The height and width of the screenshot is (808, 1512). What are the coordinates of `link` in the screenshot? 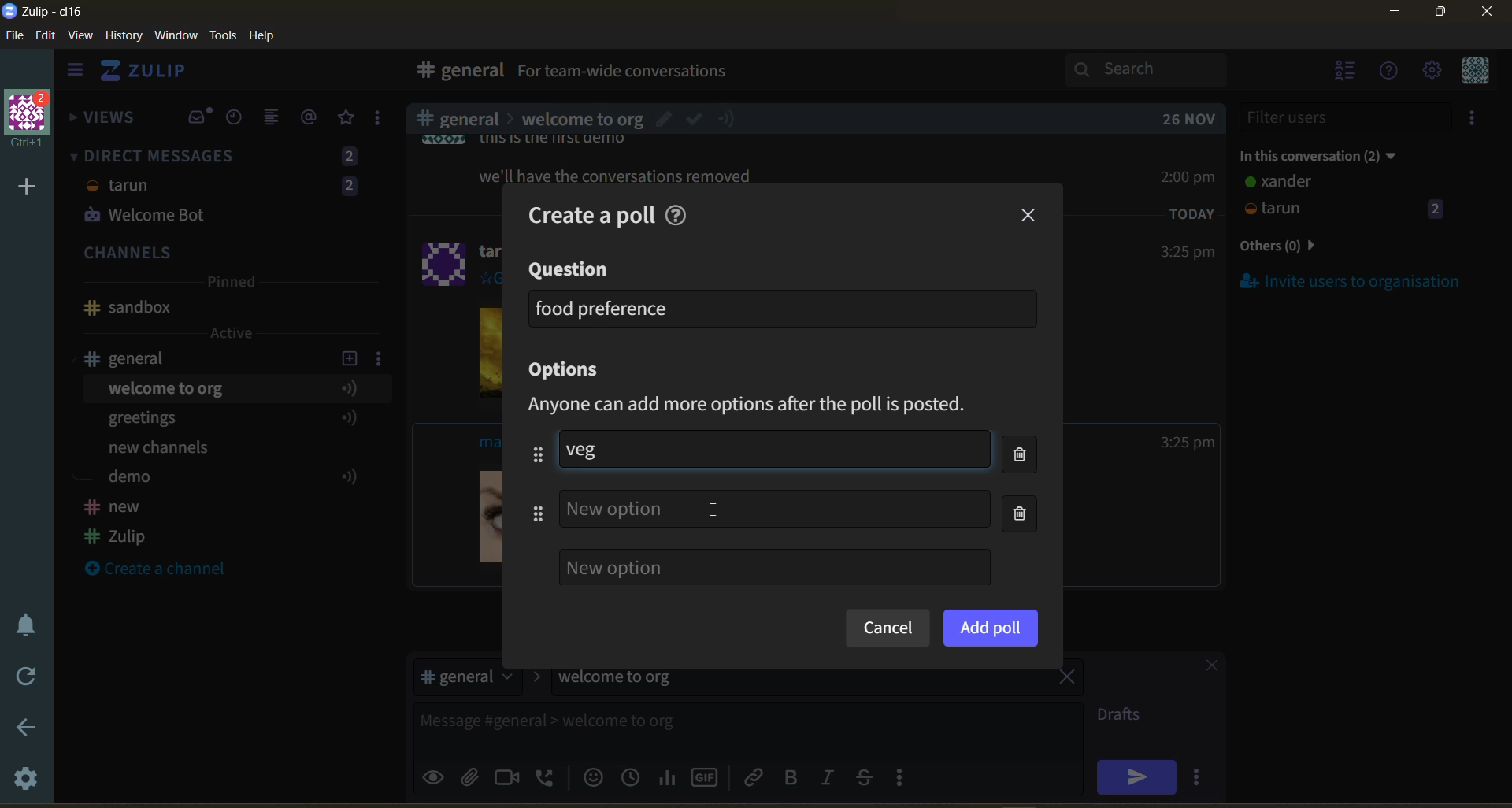 It's located at (755, 776).